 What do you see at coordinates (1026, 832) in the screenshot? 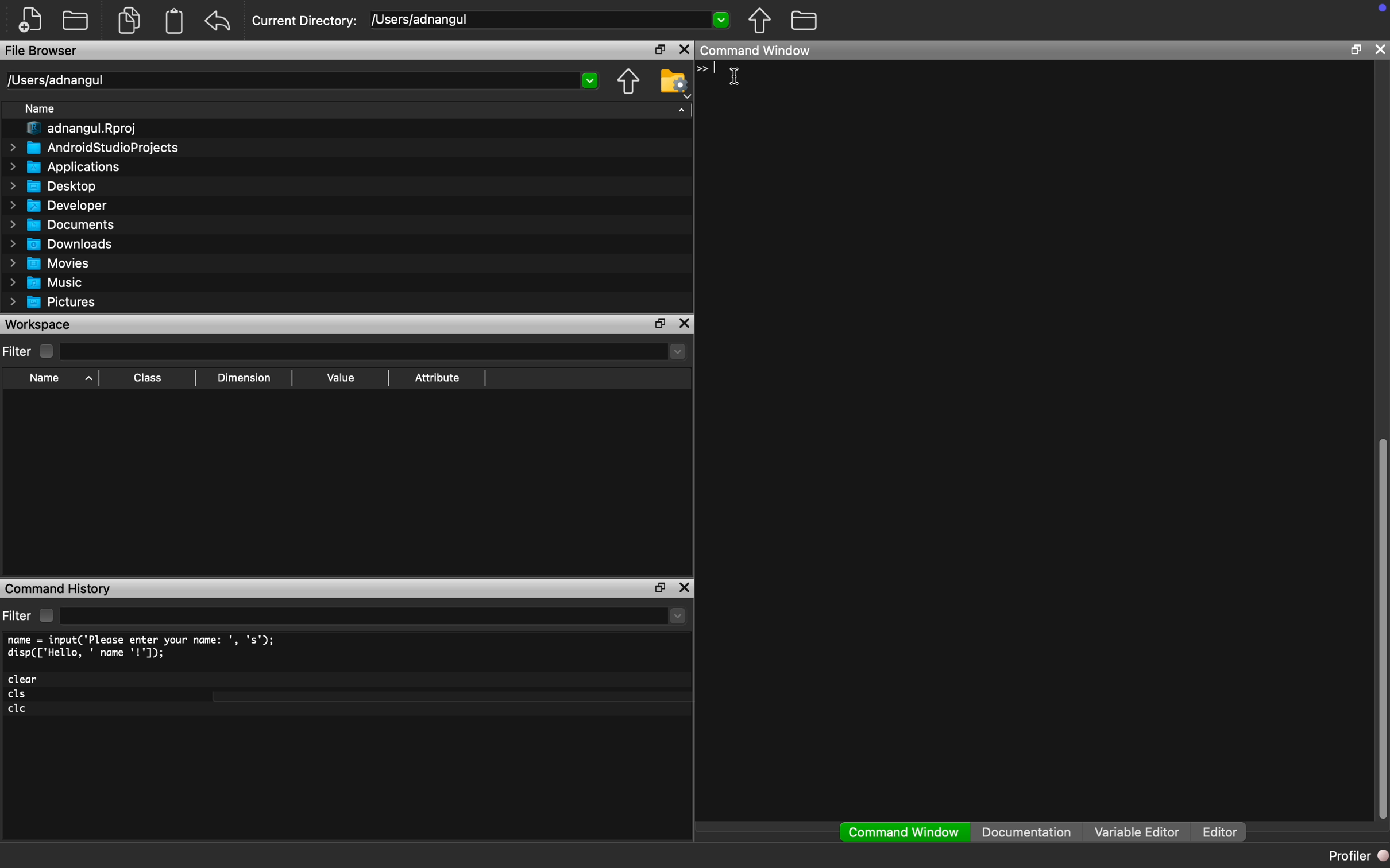
I see `Documentation` at bounding box center [1026, 832].